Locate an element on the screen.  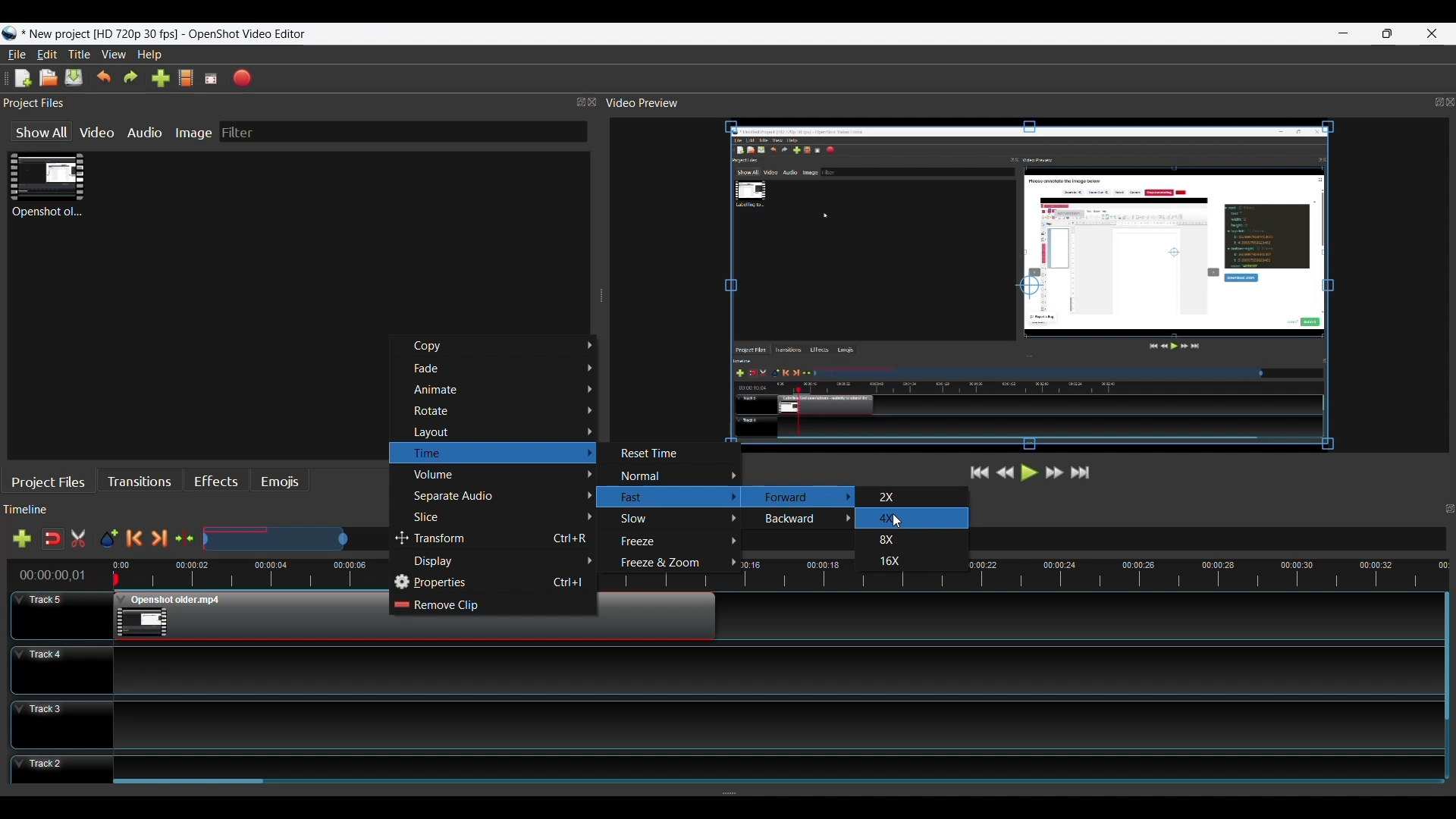
New File is located at coordinates (19, 78).